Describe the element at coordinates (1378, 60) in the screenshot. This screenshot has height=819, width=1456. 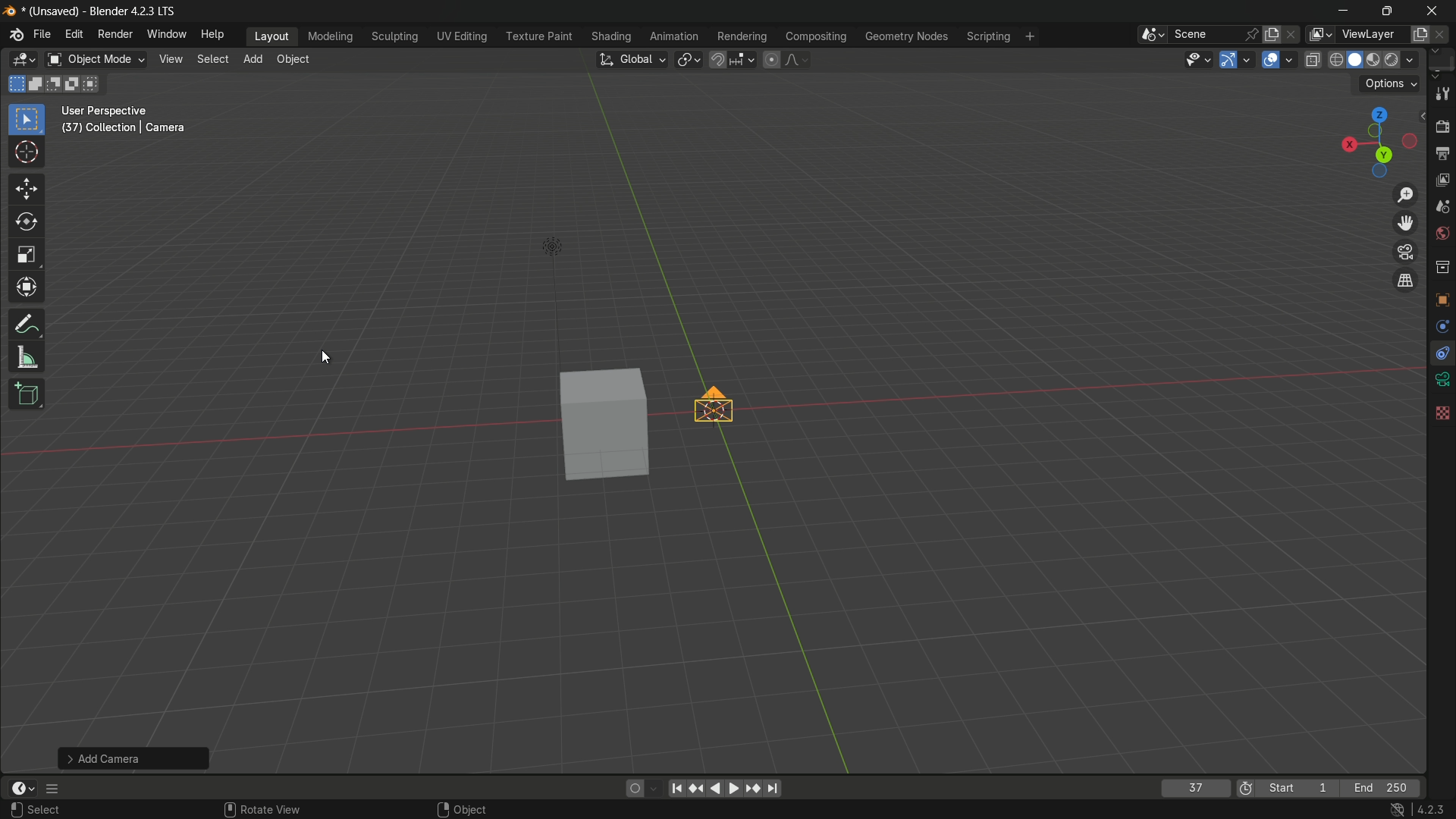
I see `material preview` at that location.